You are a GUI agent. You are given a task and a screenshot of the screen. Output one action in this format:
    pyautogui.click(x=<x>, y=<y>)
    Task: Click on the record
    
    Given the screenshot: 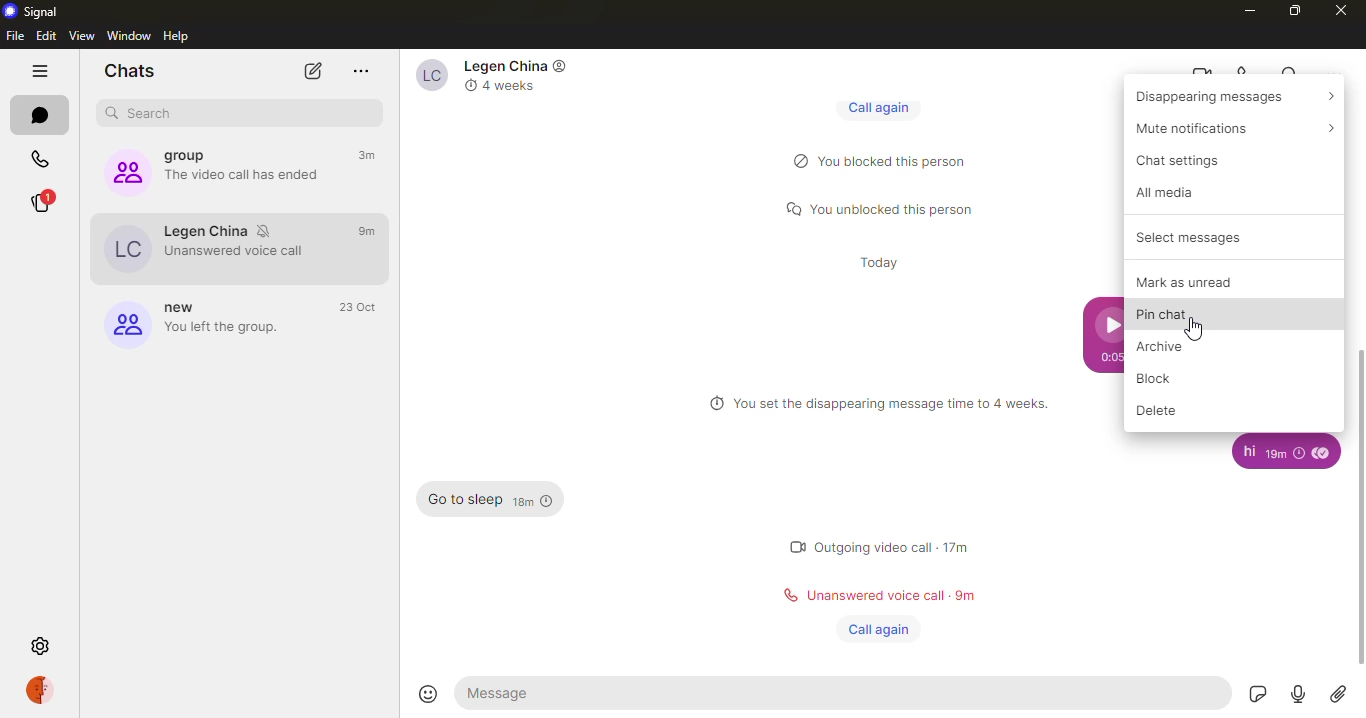 What is the action you would take?
    pyautogui.click(x=1295, y=695)
    